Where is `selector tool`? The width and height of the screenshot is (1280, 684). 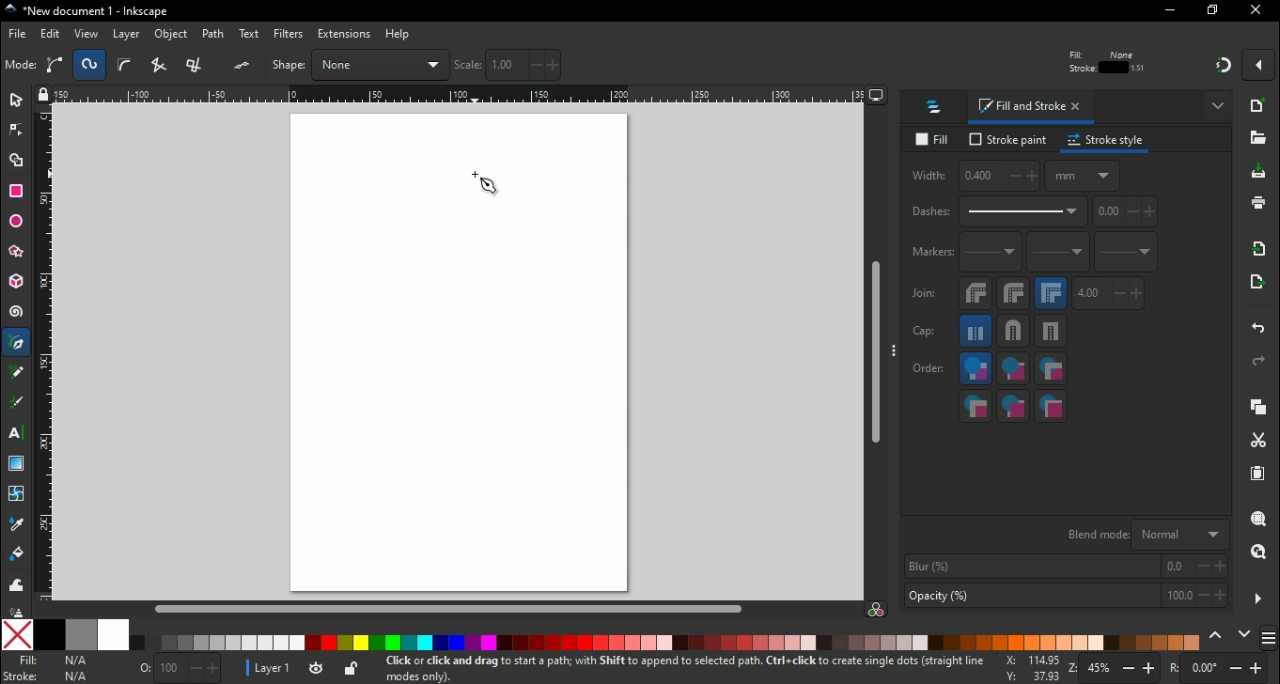 selector tool is located at coordinates (17, 104).